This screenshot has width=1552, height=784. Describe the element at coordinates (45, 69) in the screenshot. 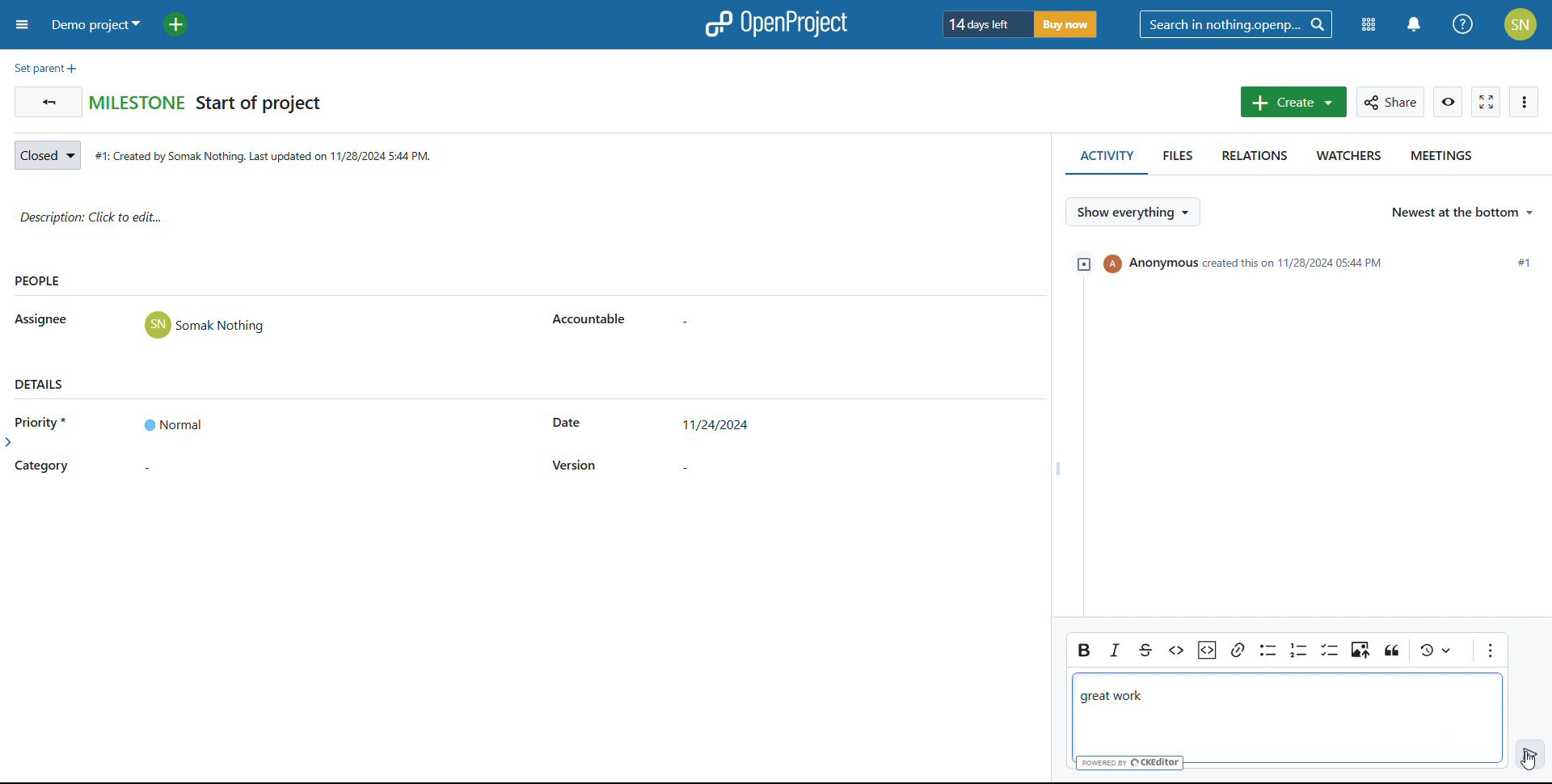

I see `set parent` at that location.